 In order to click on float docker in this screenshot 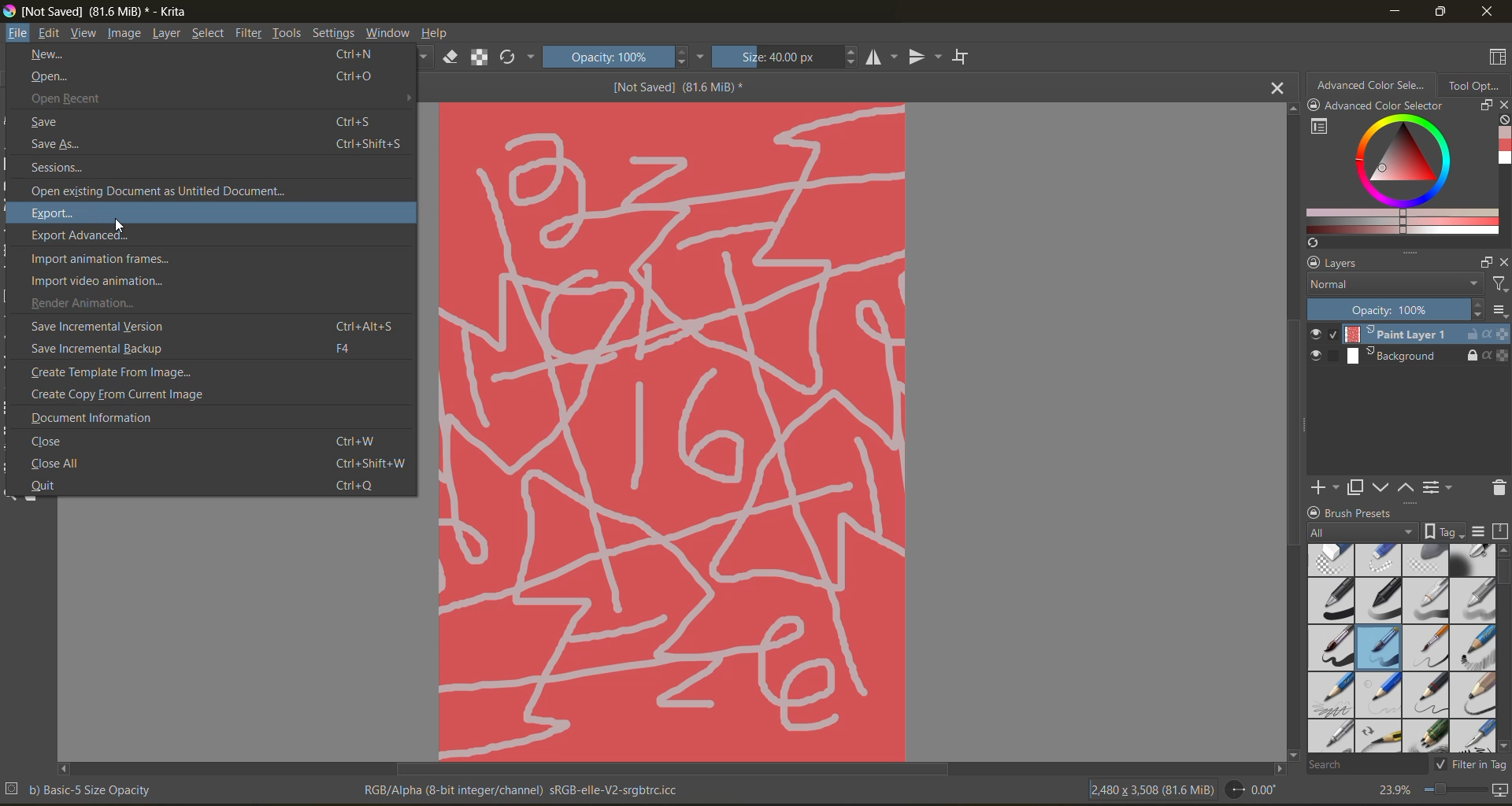, I will do `click(1484, 105)`.